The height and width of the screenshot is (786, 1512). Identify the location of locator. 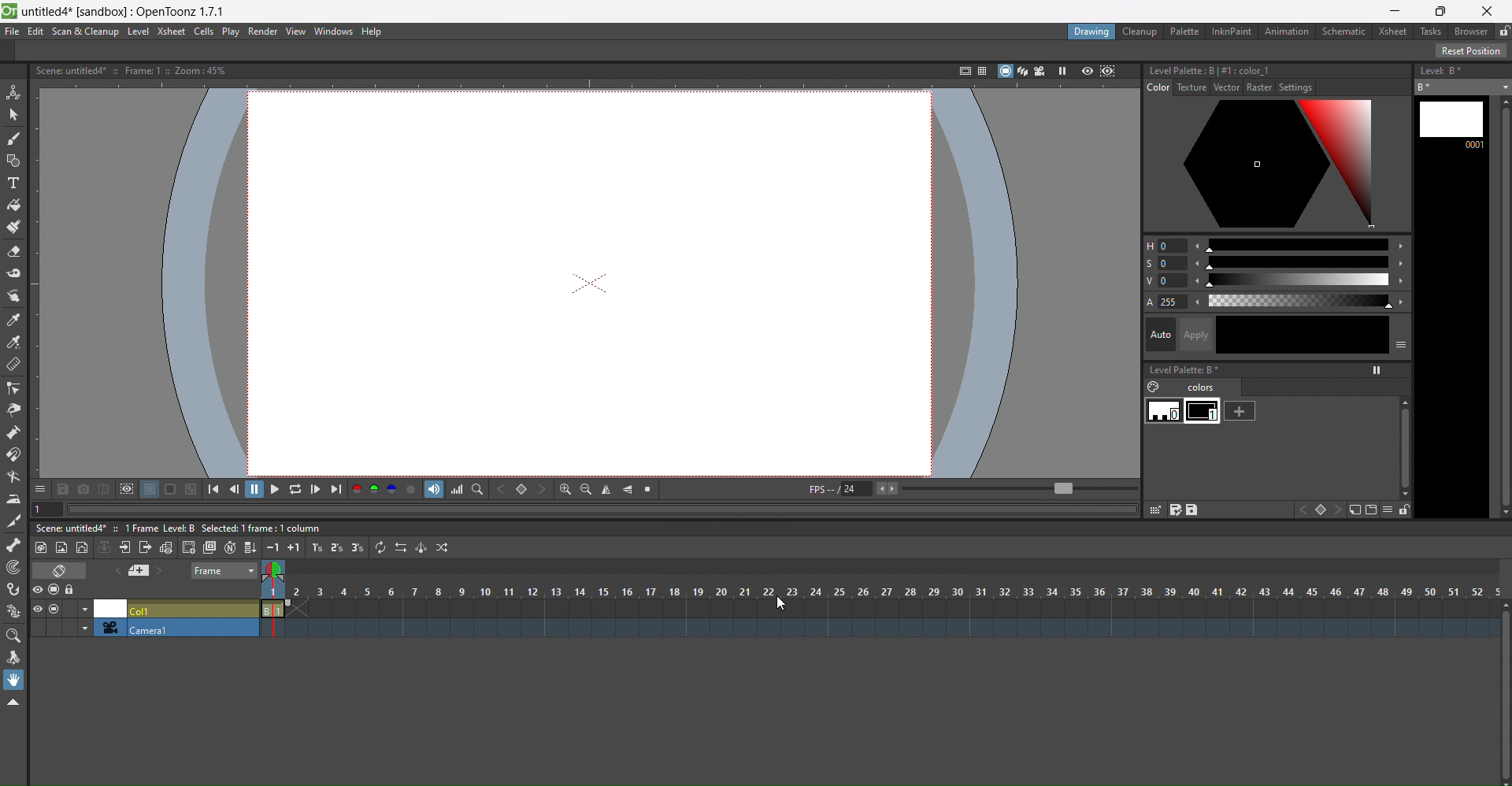
(477, 488).